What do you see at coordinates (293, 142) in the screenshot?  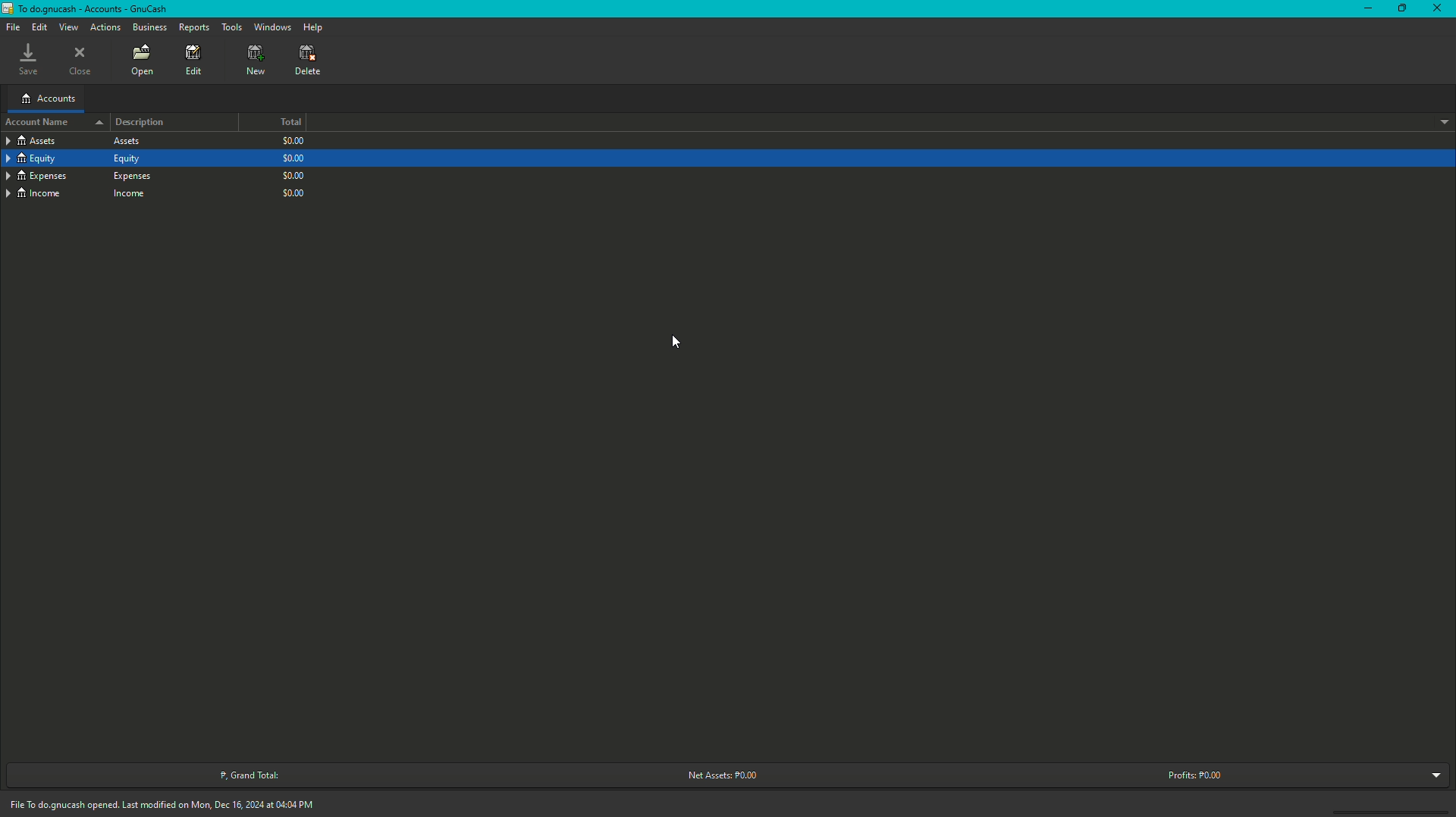 I see `$0` at bounding box center [293, 142].